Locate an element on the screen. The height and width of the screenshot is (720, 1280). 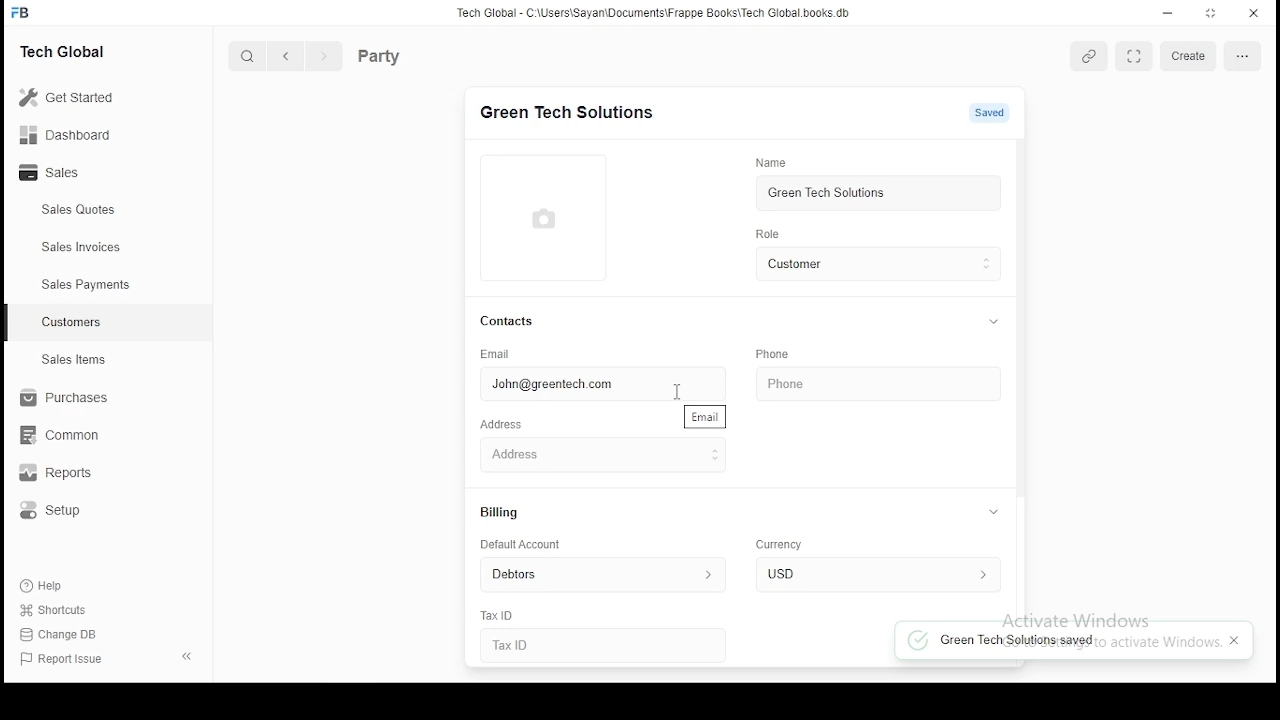
inr is located at coordinates (873, 575).